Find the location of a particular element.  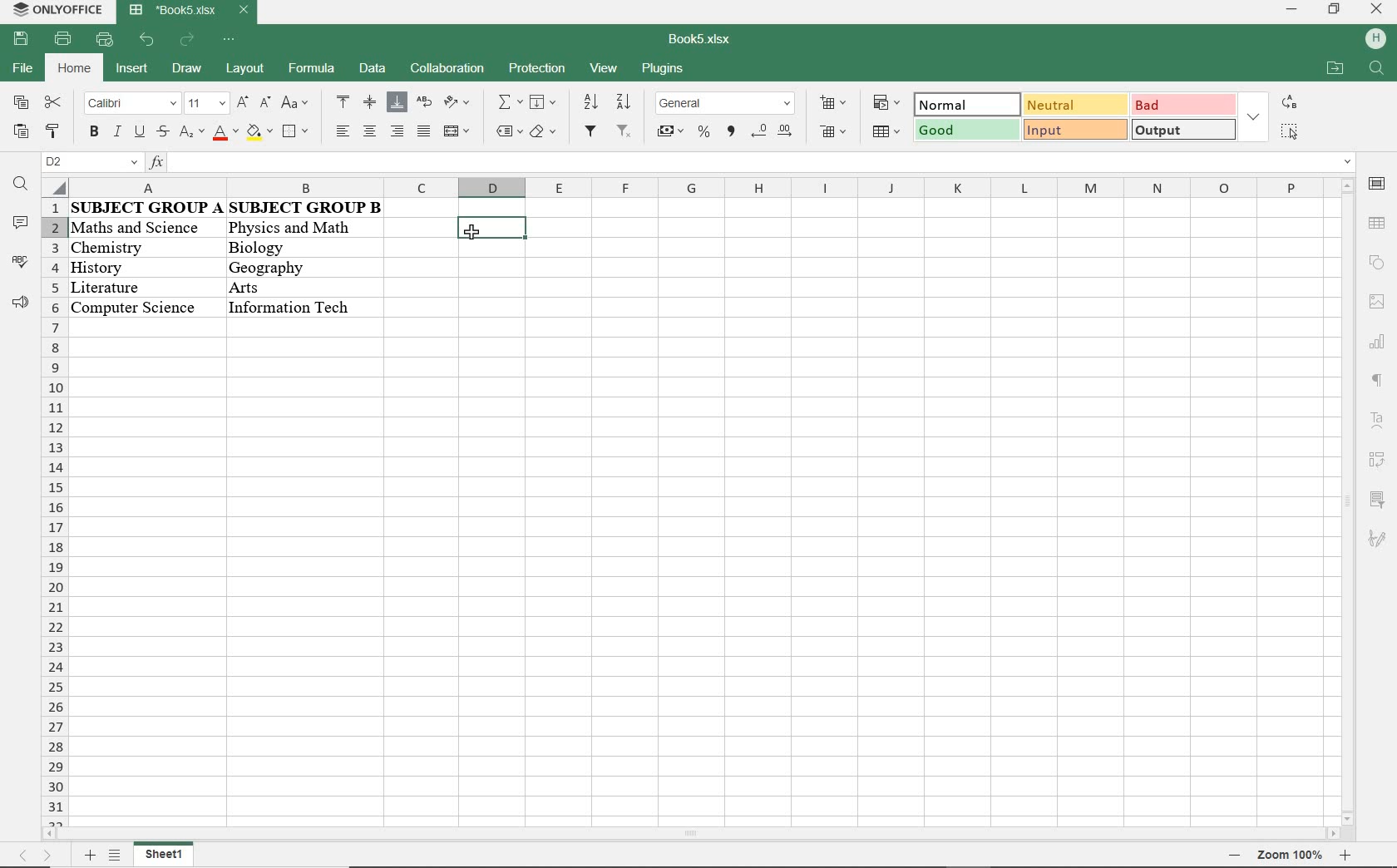

strikethrough is located at coordinates (161, 132).